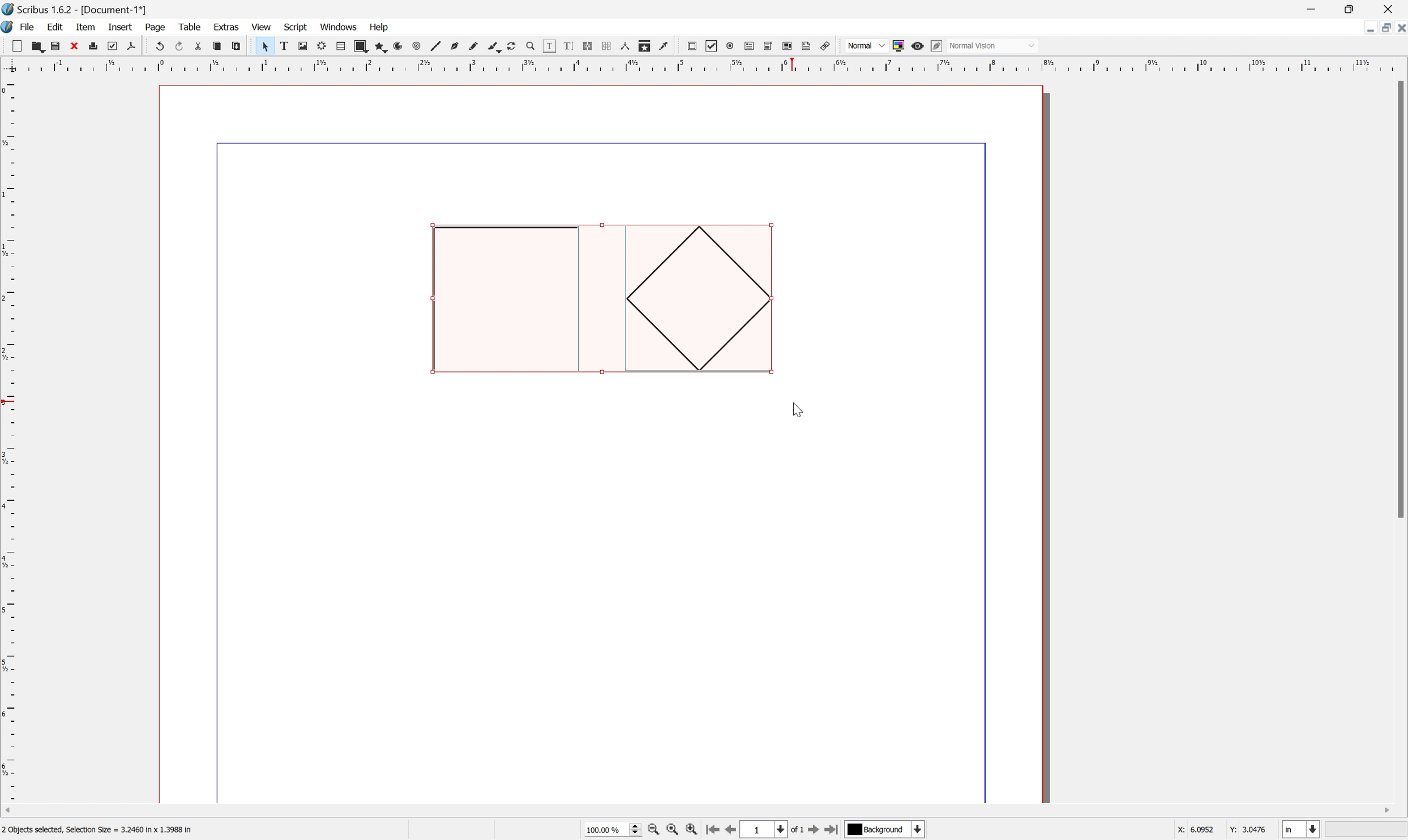 The image size is (1408, 840). What do you see at coordinates (296, 26) in the screenshot?
I see `script` at bounding box center [296, 26].